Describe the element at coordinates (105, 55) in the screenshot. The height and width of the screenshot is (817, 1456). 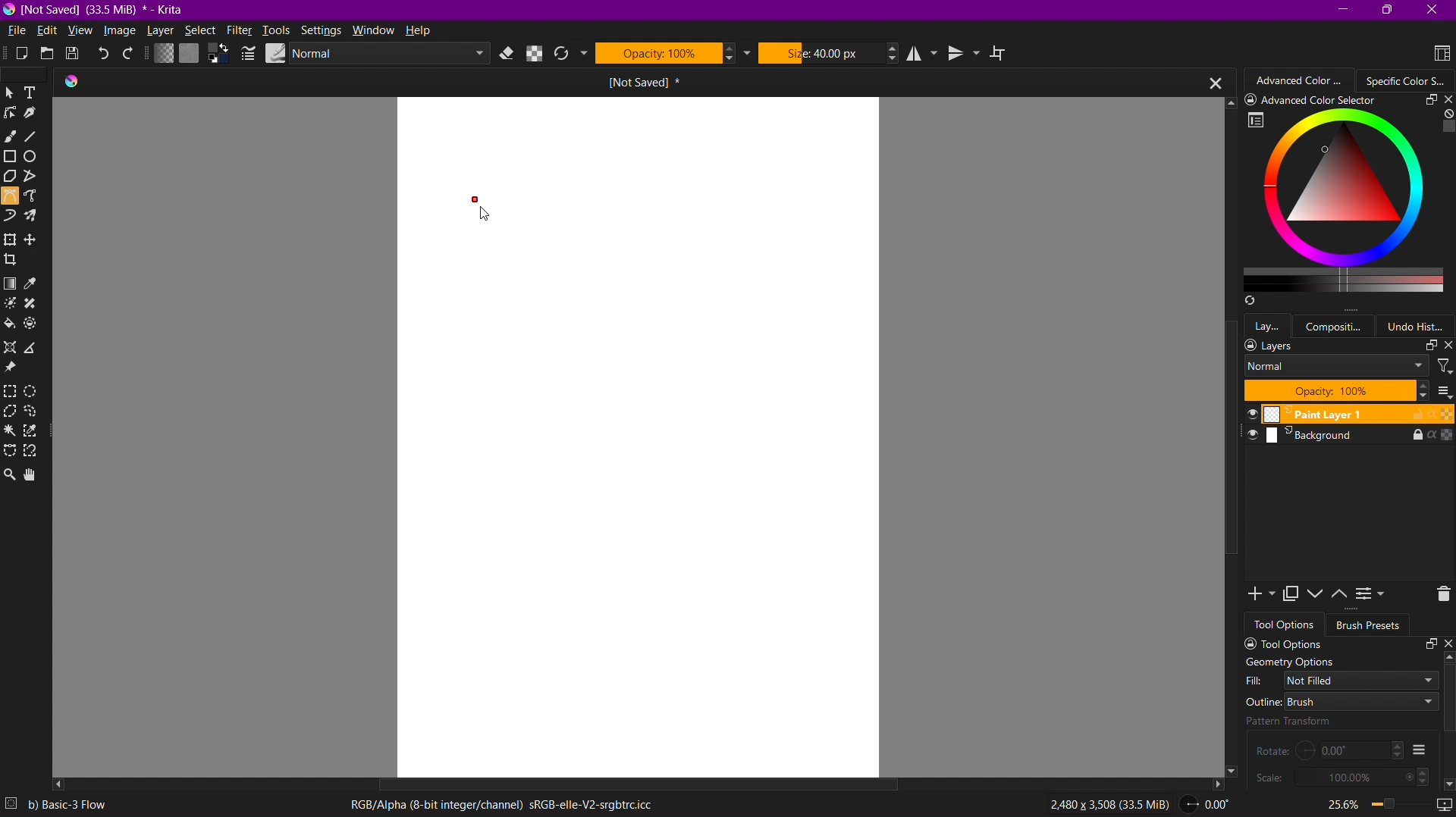
I see `Undo` at that location.